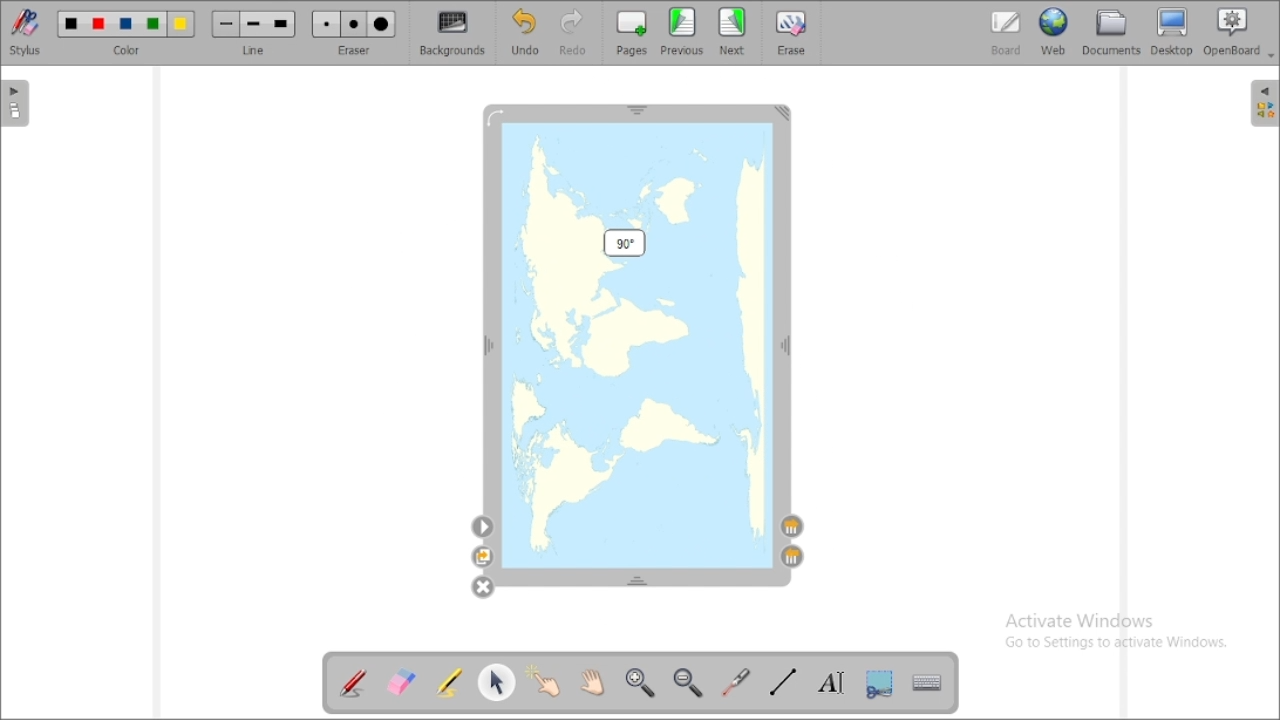 The height and width of the screenshot is (720, 1280). I want to click on write text, so click(832, 683).